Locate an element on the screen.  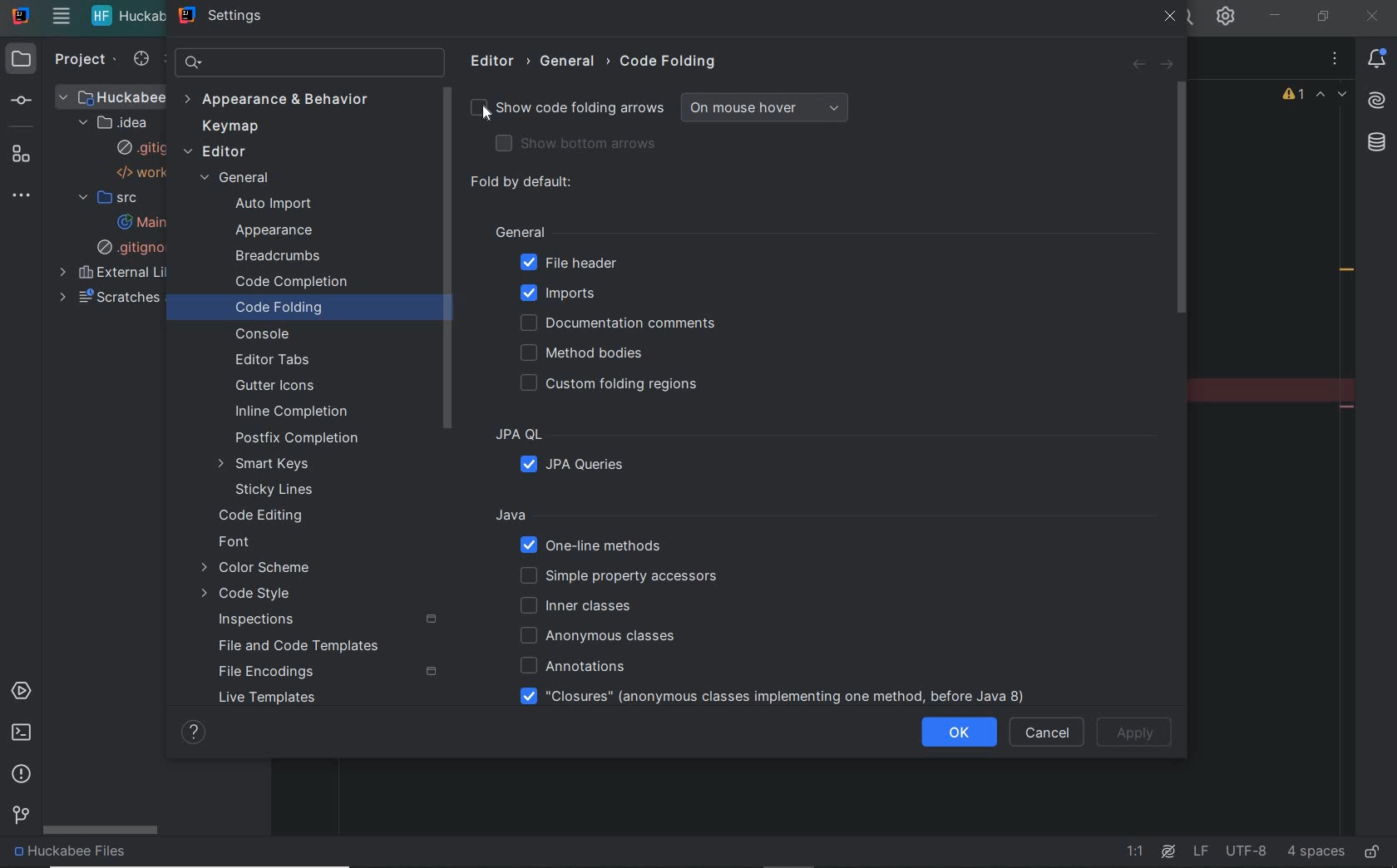
smart keys is located at coordinates (267, 463).